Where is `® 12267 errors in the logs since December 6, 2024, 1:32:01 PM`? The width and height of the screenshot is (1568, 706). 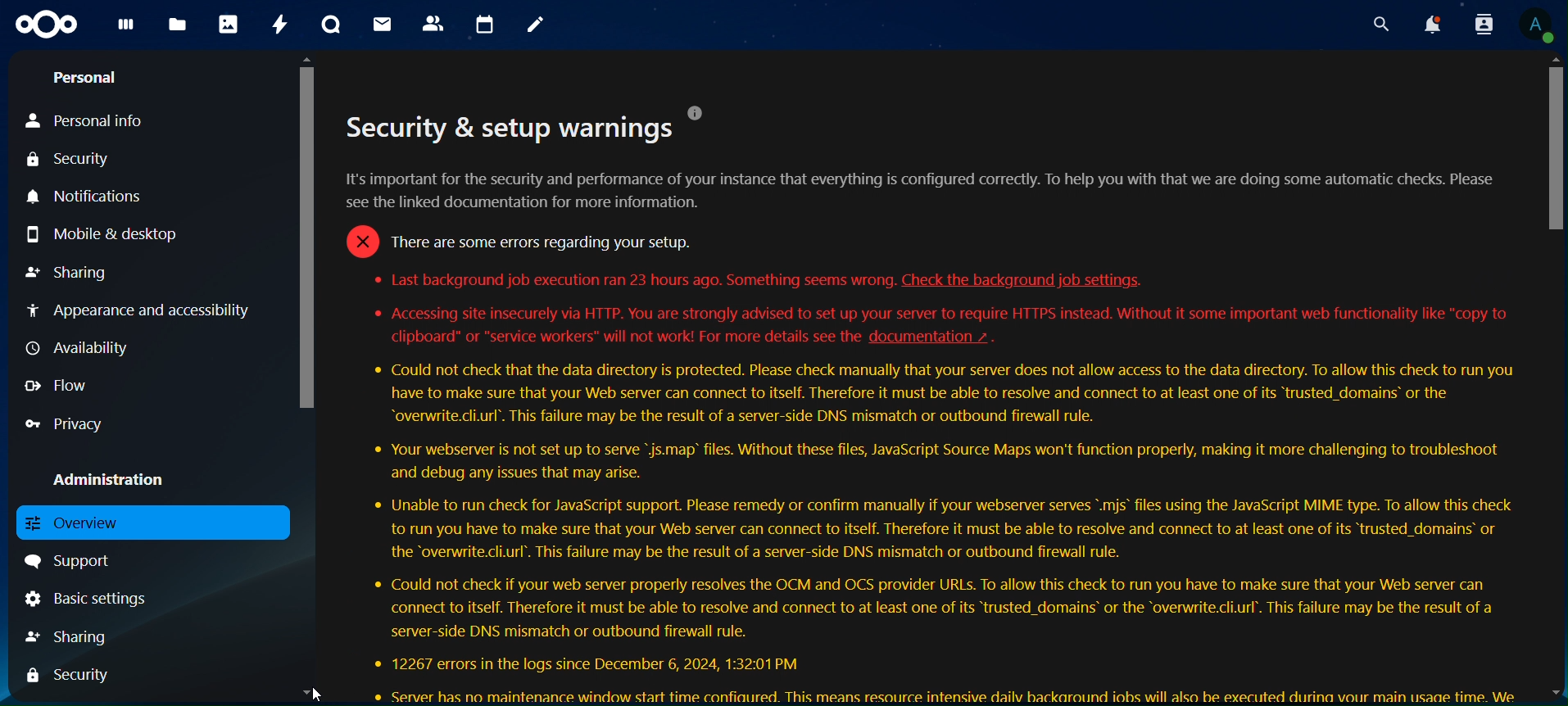
® 12267 errors in the logs since December 6, 2024, 1:32:01 PM is located at coordinates (587, 662).